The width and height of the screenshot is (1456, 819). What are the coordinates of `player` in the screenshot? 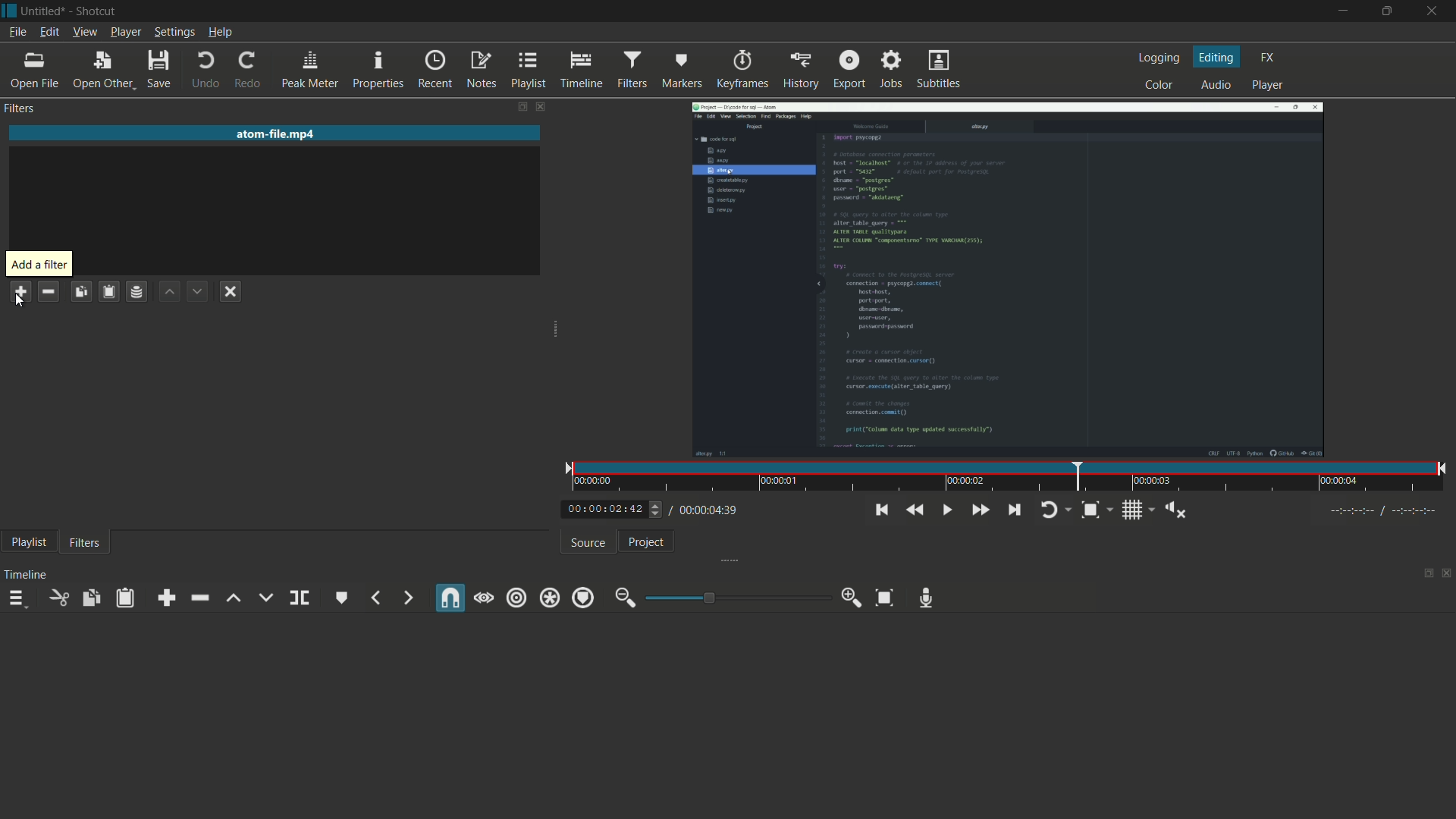 It's located at (1268, 86).